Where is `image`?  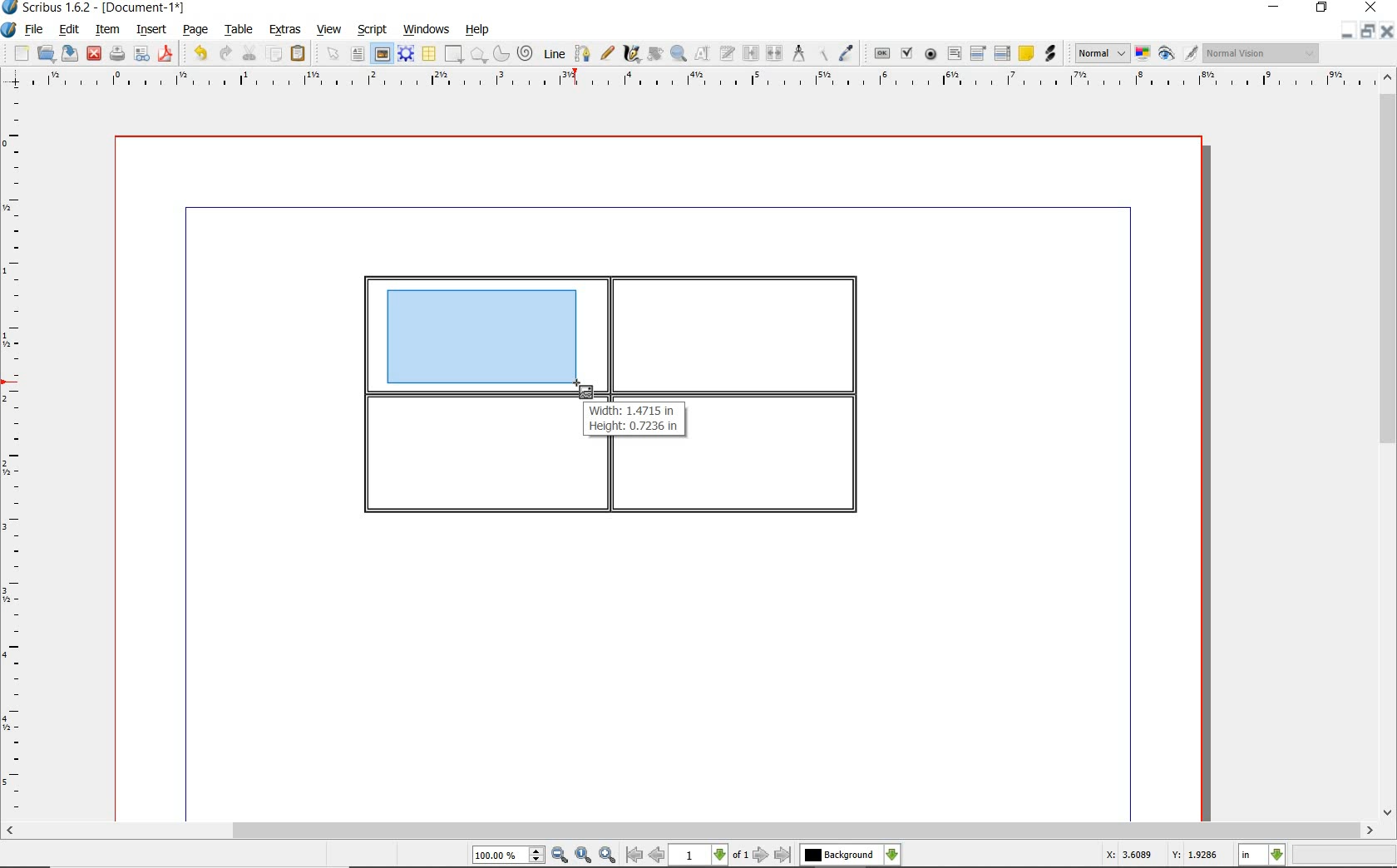 image is located at coordinates (382, 54).